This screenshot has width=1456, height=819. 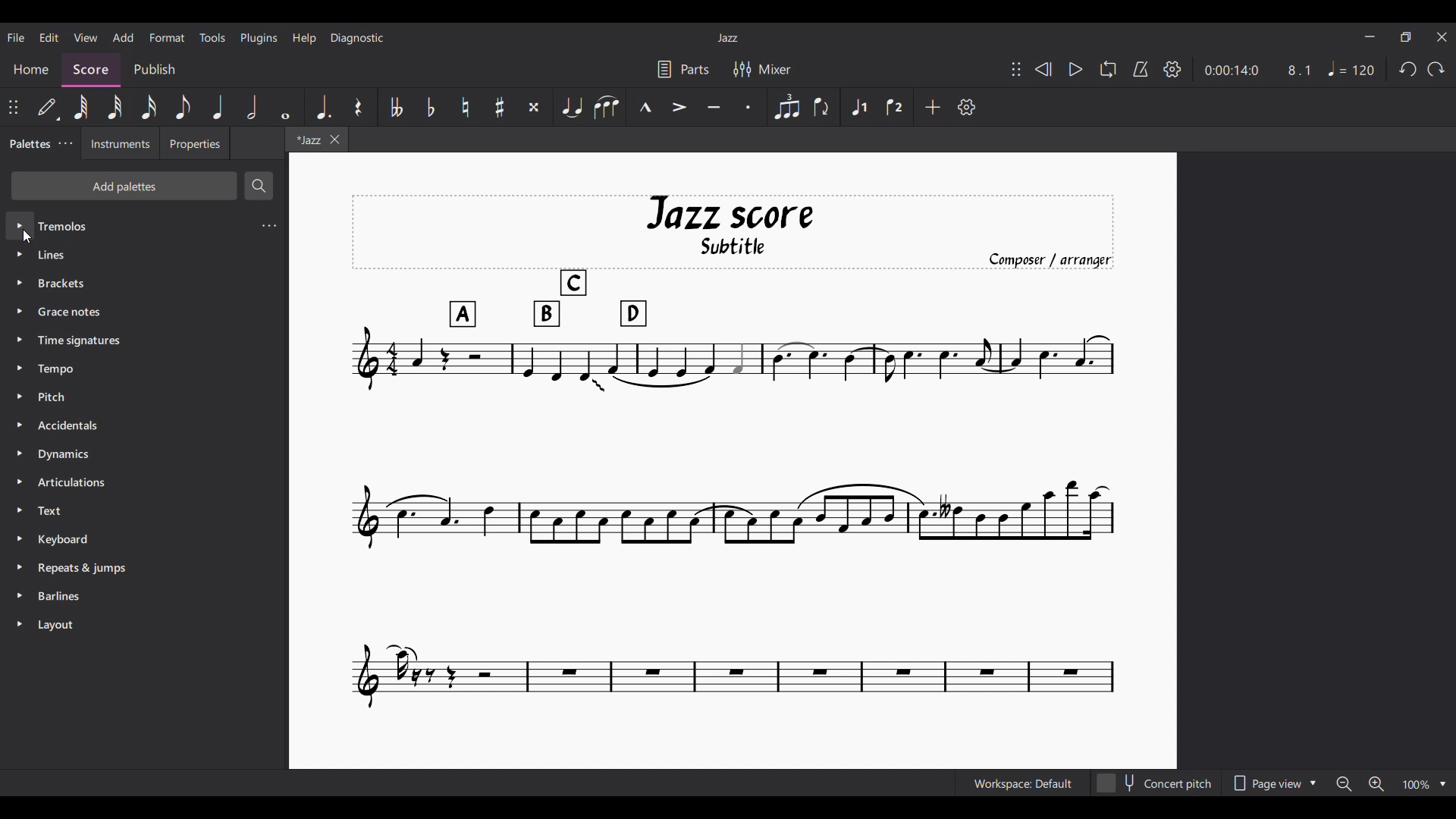 I want to click on 16th note, so click(x=148, y=107).